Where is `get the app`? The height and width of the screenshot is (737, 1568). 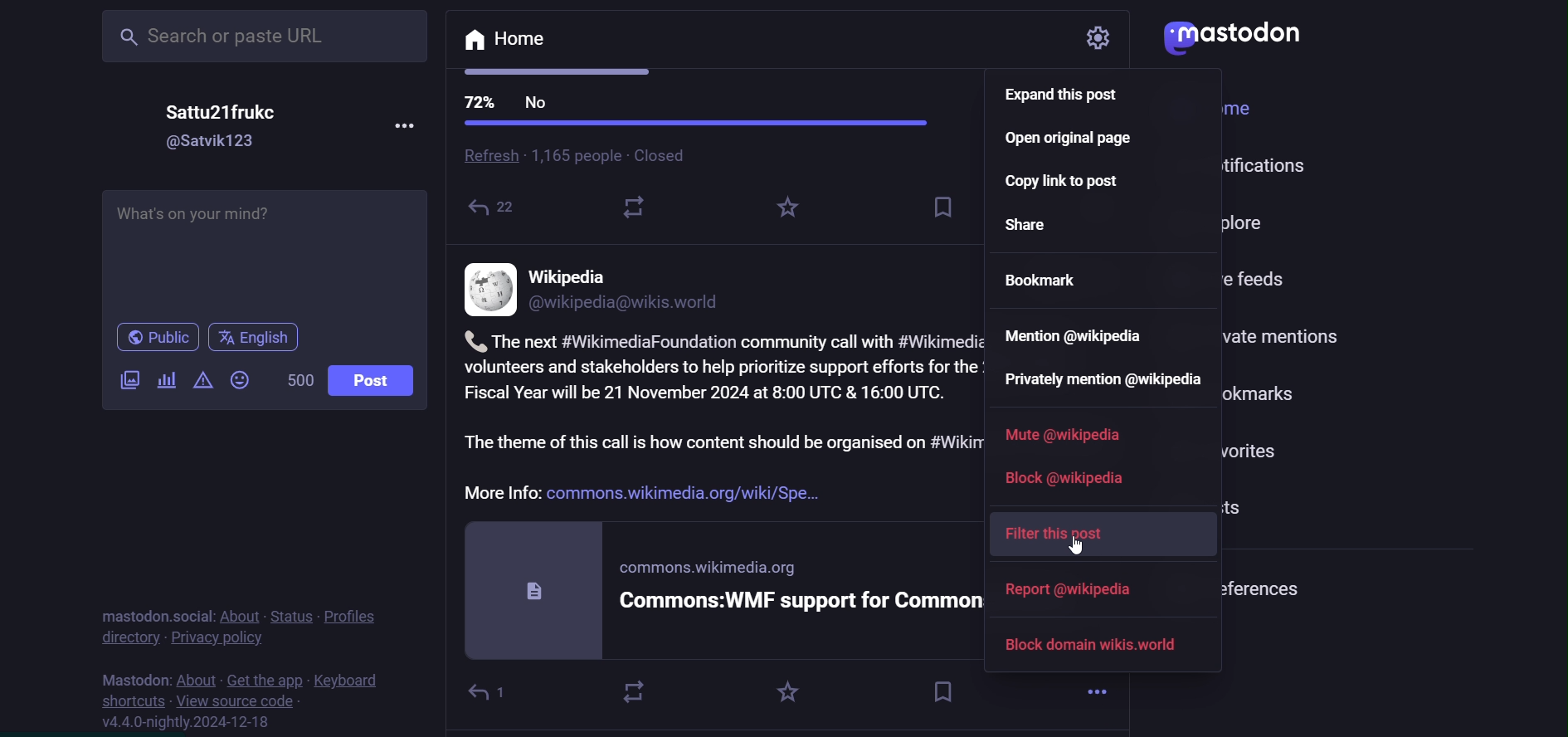
get the app is located at coordinates (270, 680).